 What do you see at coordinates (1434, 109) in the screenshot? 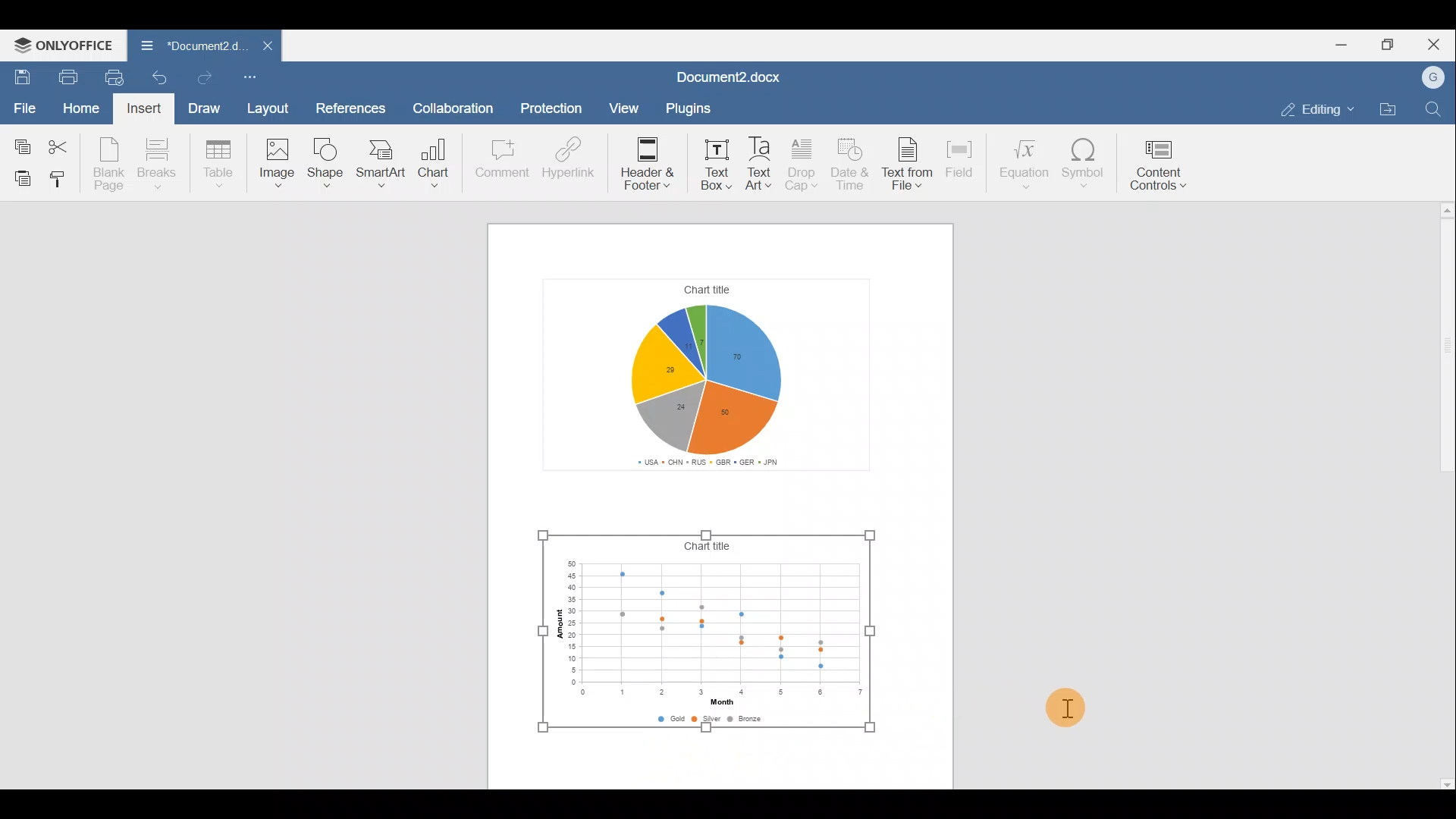
I see `Find` at bounding box center [1434, 109].